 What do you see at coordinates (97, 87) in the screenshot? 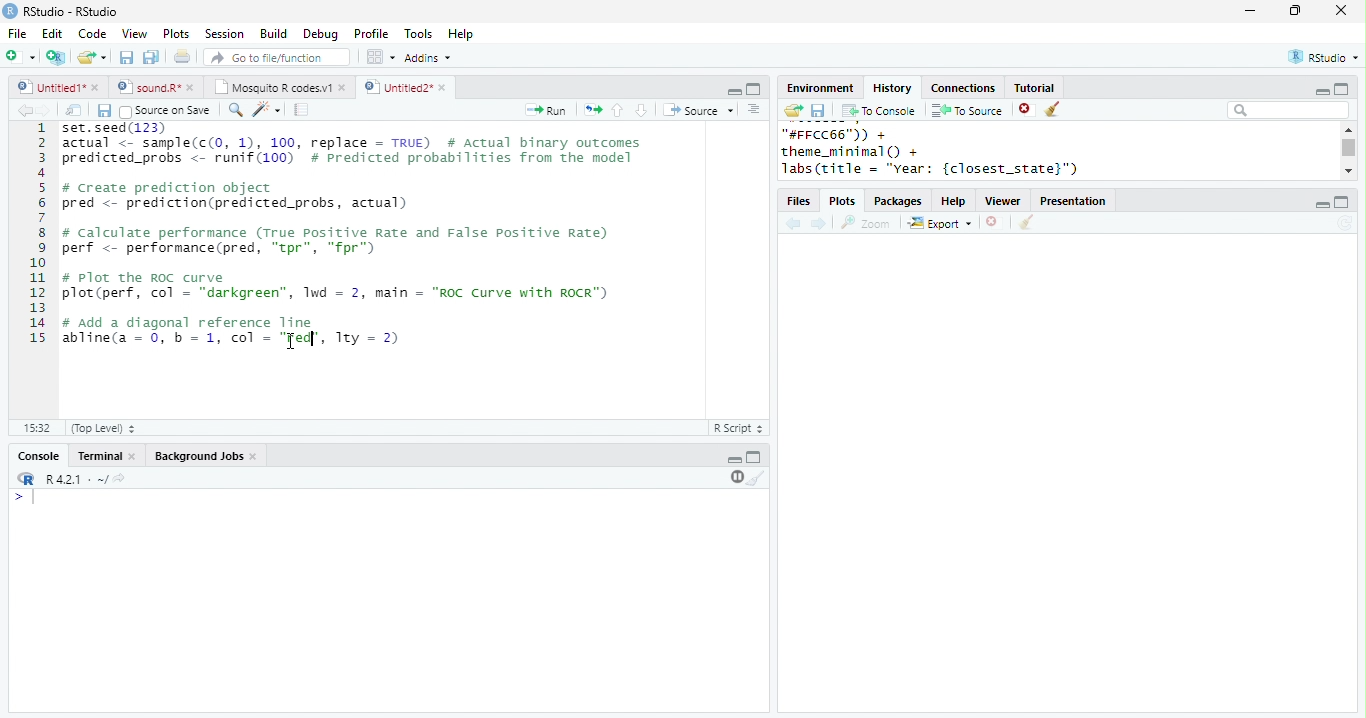
I see `close` at bounding box center [97, 87].